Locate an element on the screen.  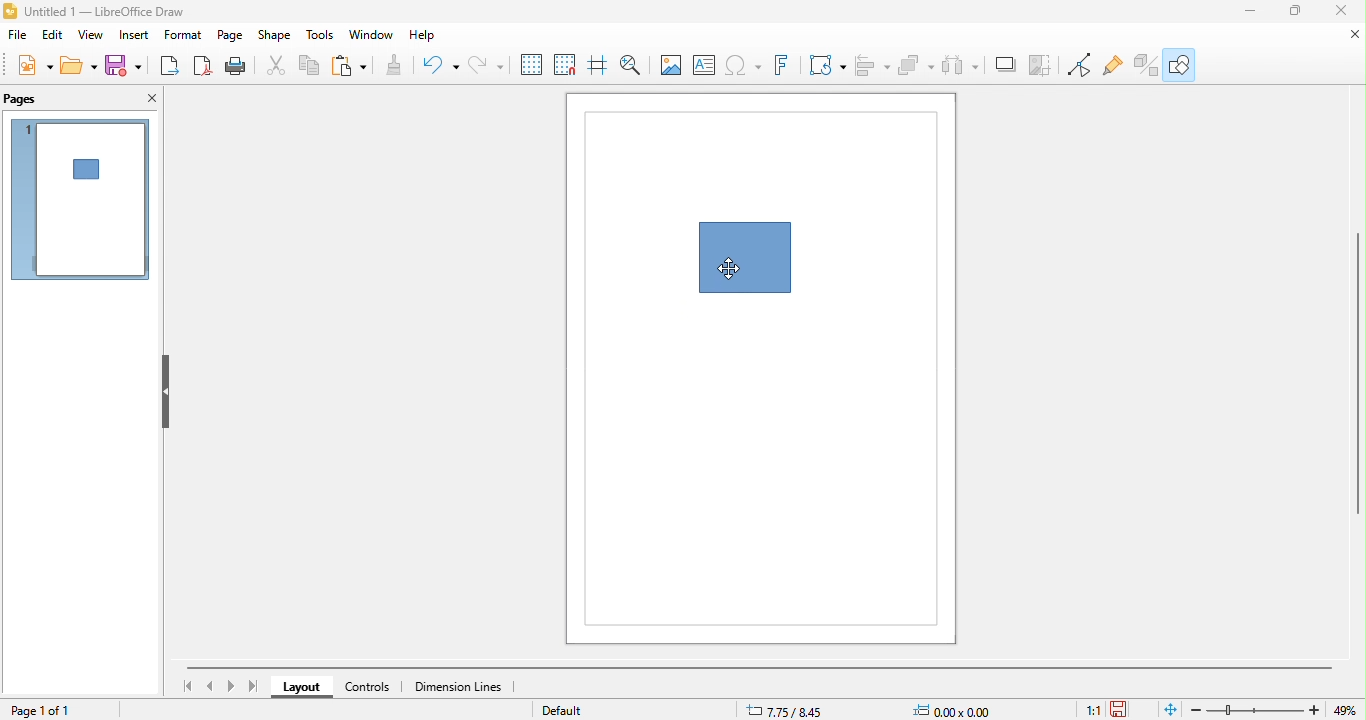
layout is located at coordinates (304, 688).